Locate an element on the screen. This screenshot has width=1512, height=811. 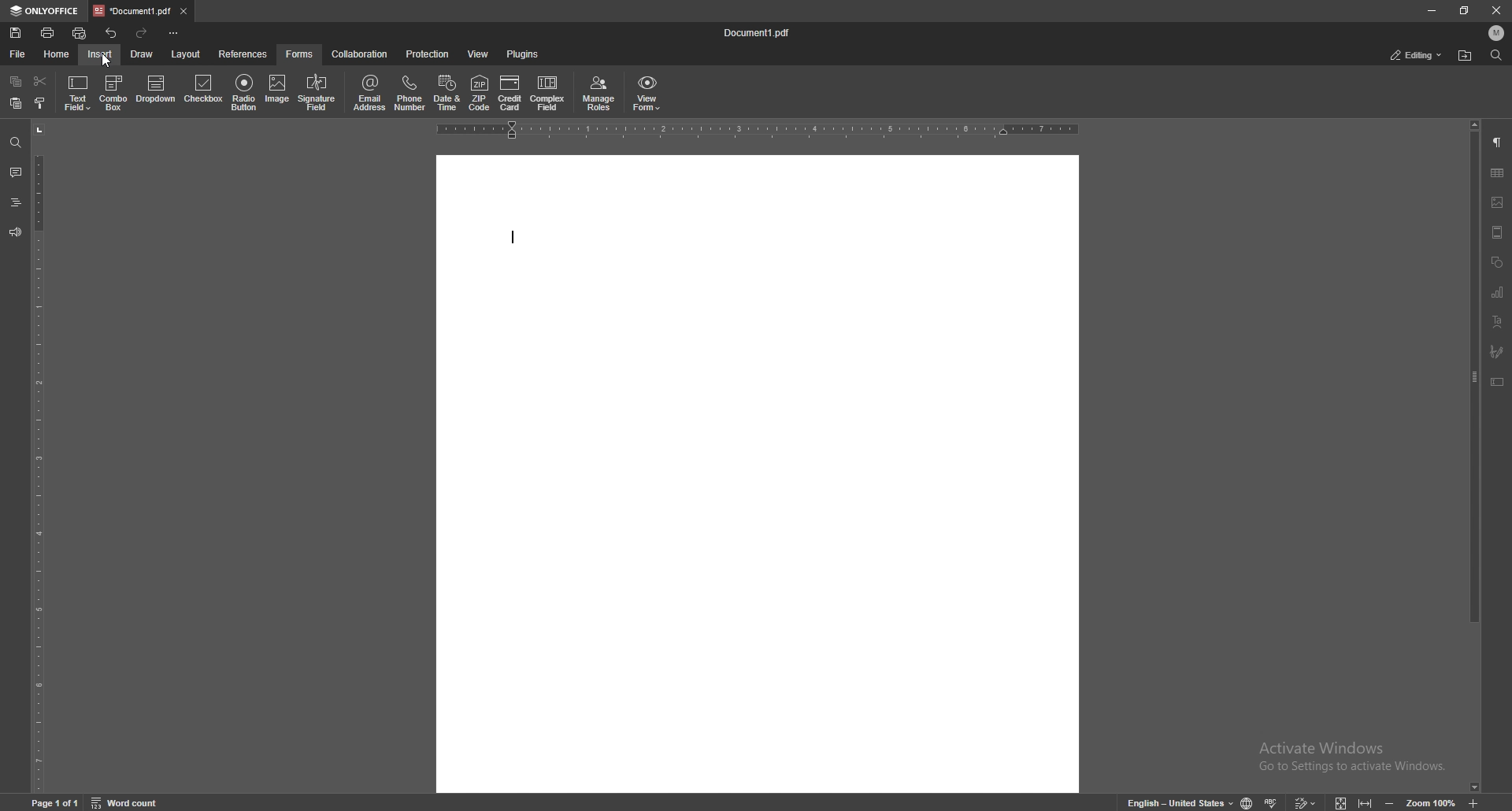
manage roles is located at coordinates (598, 94).